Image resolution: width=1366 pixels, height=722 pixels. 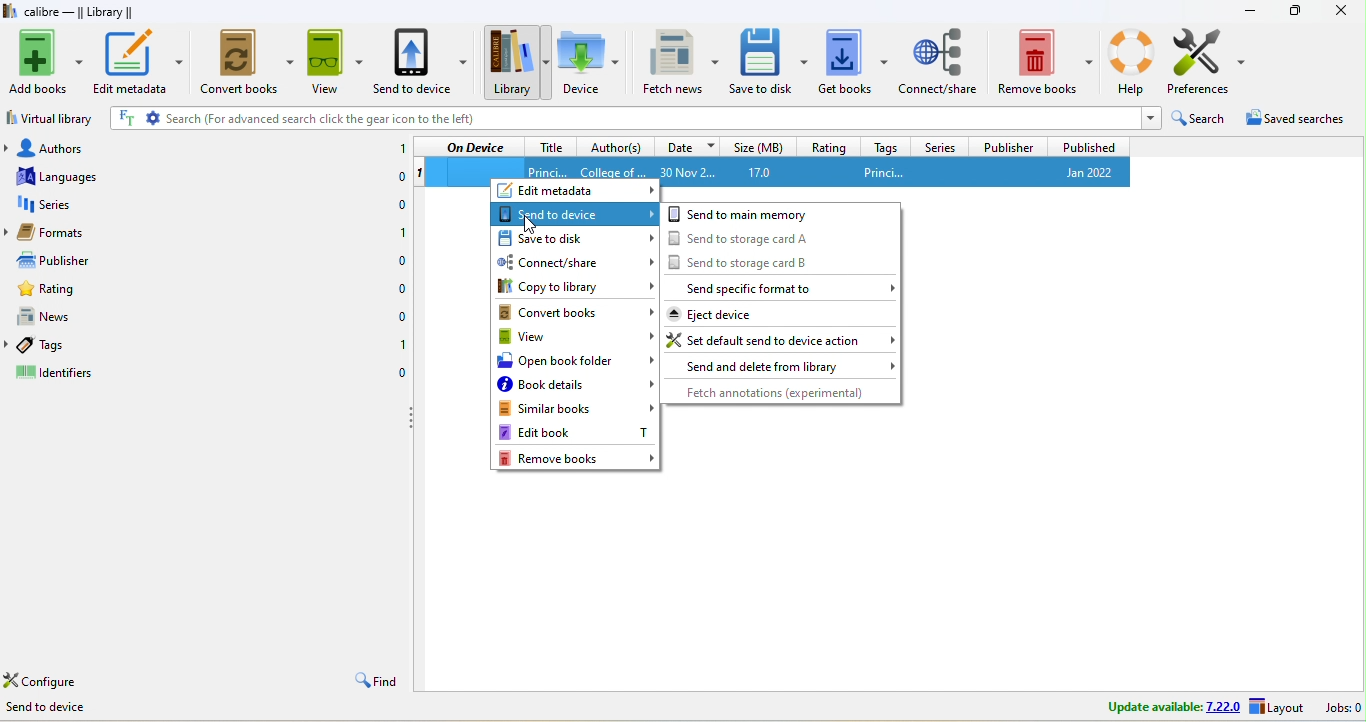 I want to click on layout, so click(x=1277, y=708).